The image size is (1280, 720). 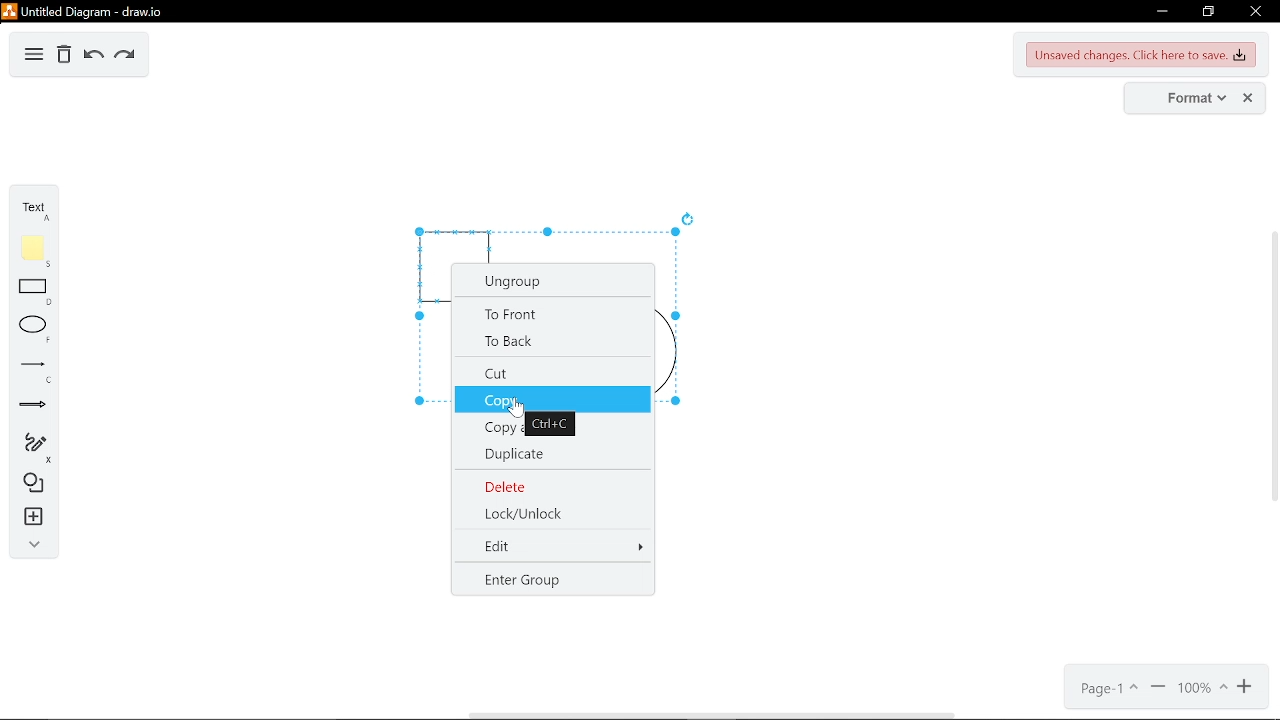 I want to click on note, so click(x=33, y=250).